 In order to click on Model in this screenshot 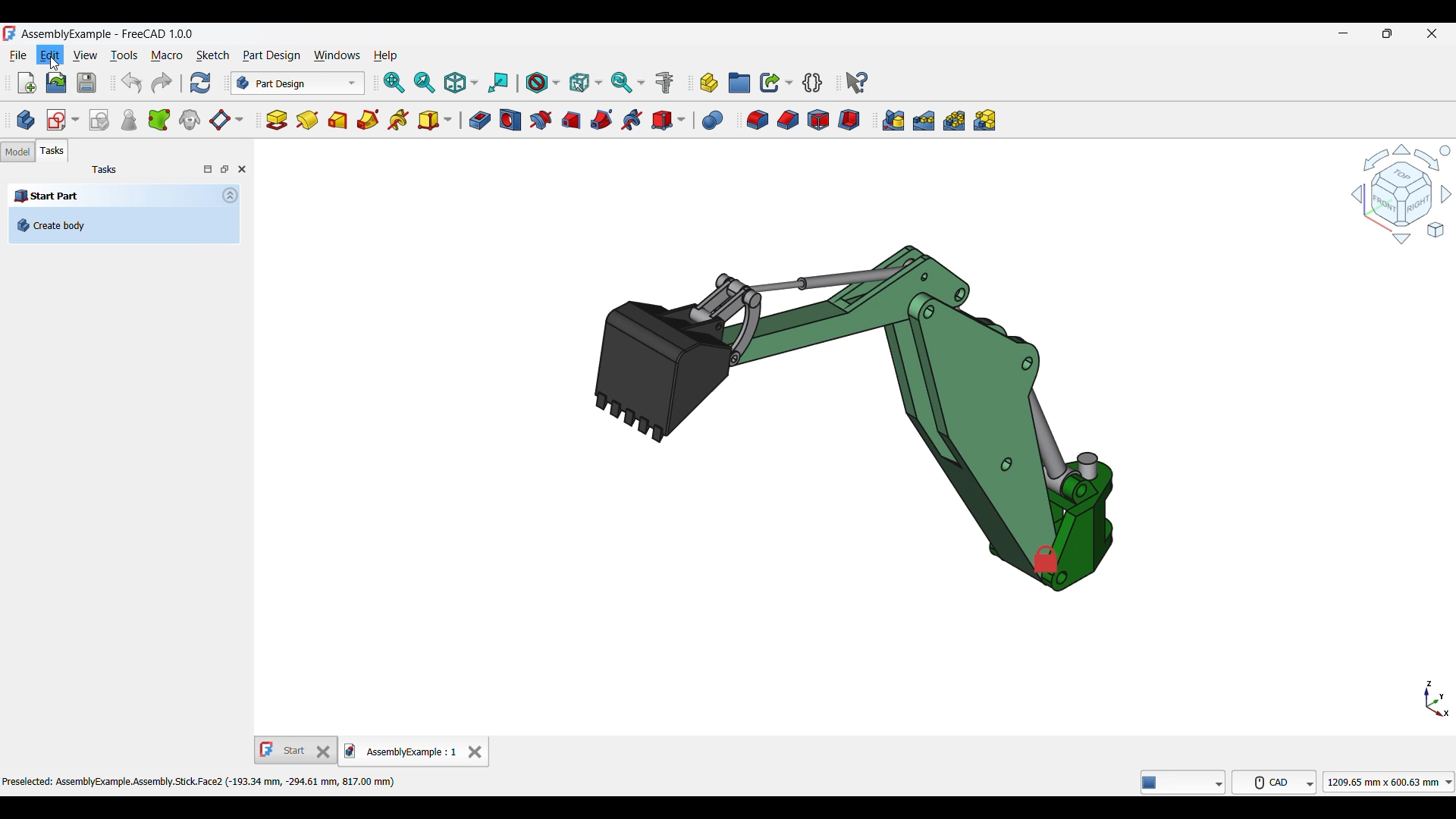, I will do `click(18, 152)`.